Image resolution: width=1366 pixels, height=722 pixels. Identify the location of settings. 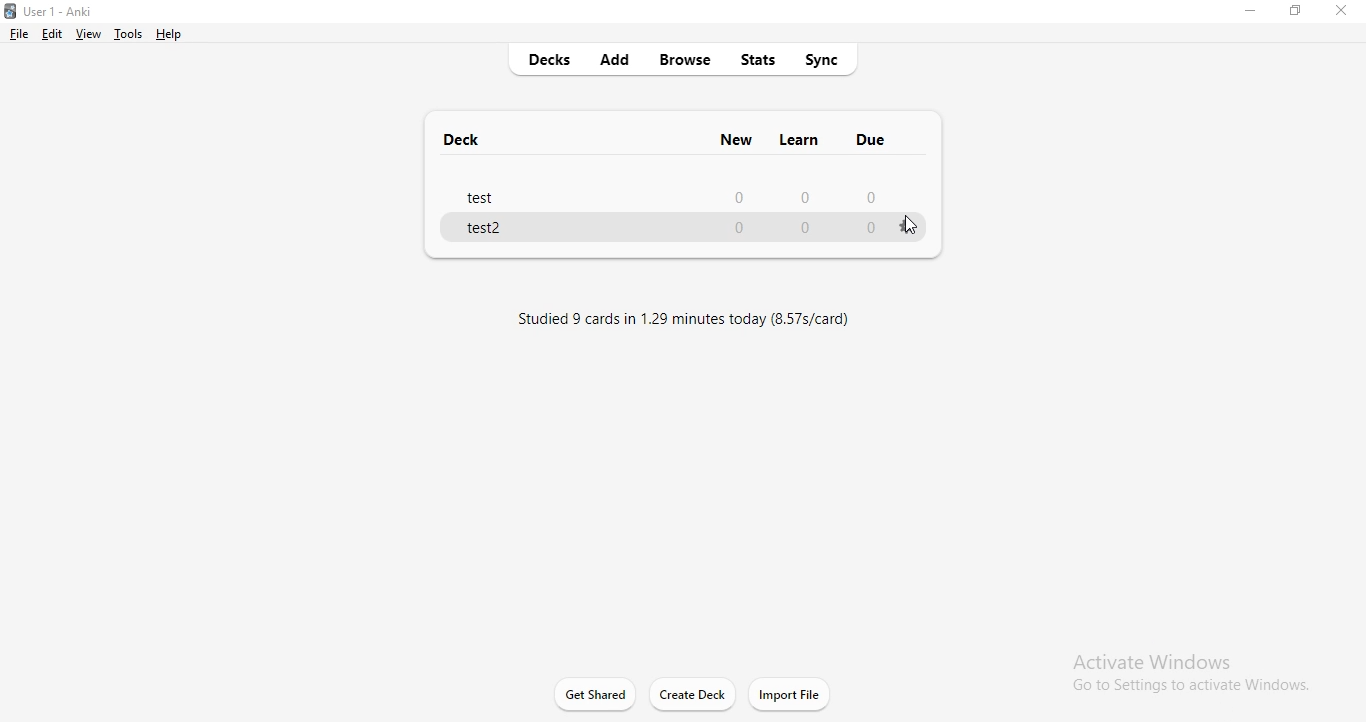
(910, 228).